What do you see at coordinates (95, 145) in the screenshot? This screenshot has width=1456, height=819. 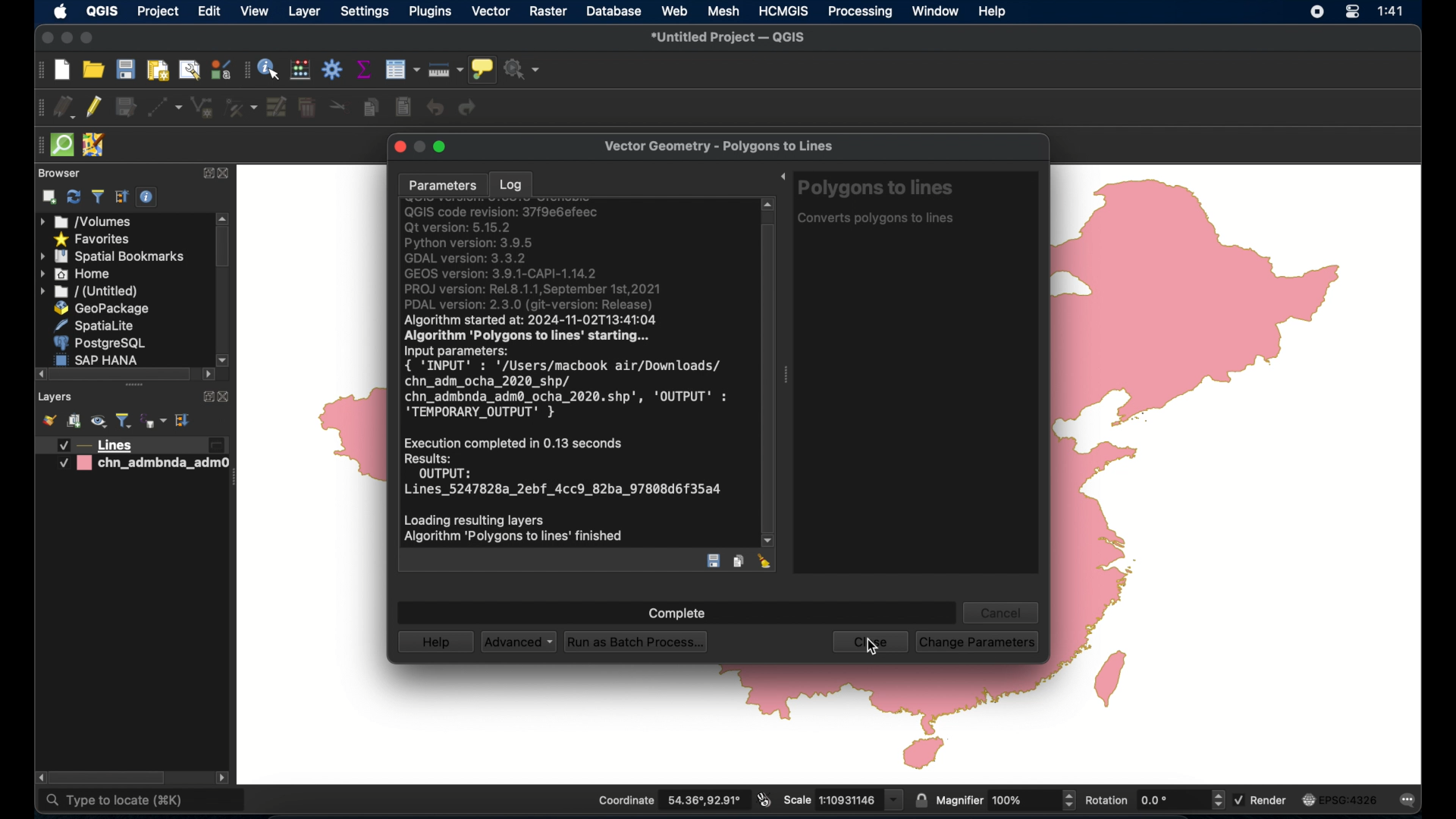 I see `jsomremote` at bounding box center [95, 145].